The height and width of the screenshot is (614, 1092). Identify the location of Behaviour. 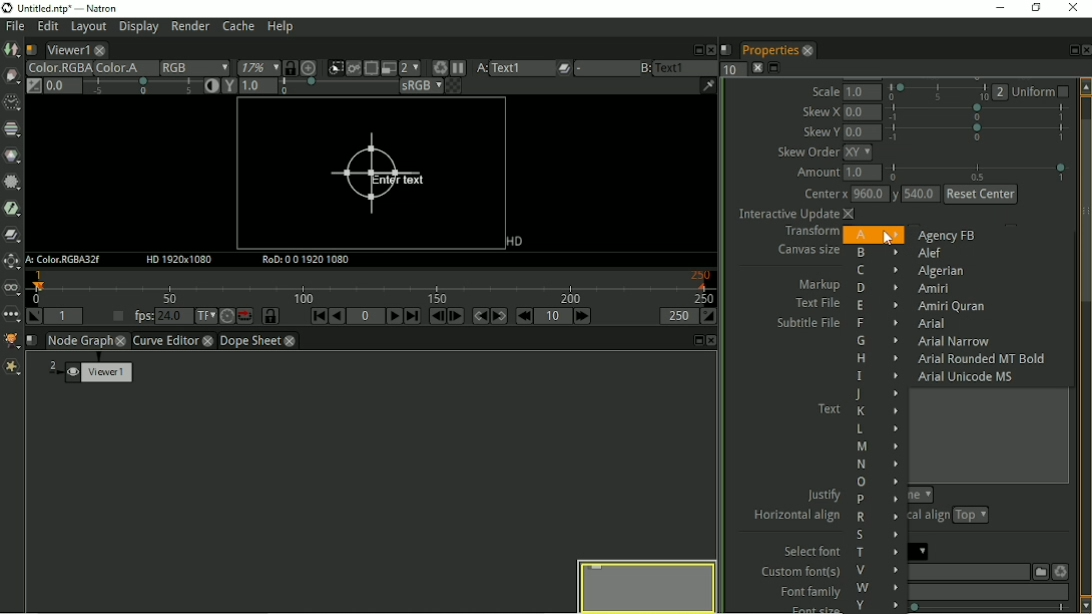
(245, 316).